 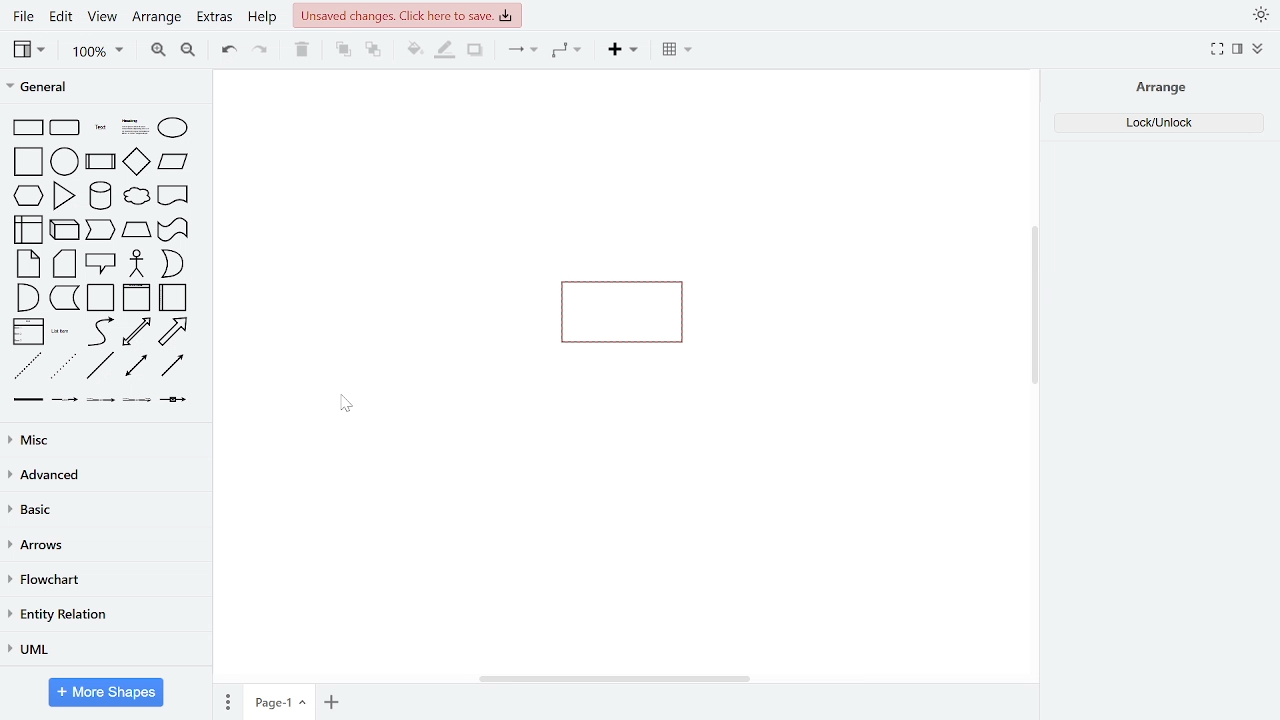 What do you see at coordinates (100, 332) in the screenshot?
I see `curve` at bounding box center [100, 332].